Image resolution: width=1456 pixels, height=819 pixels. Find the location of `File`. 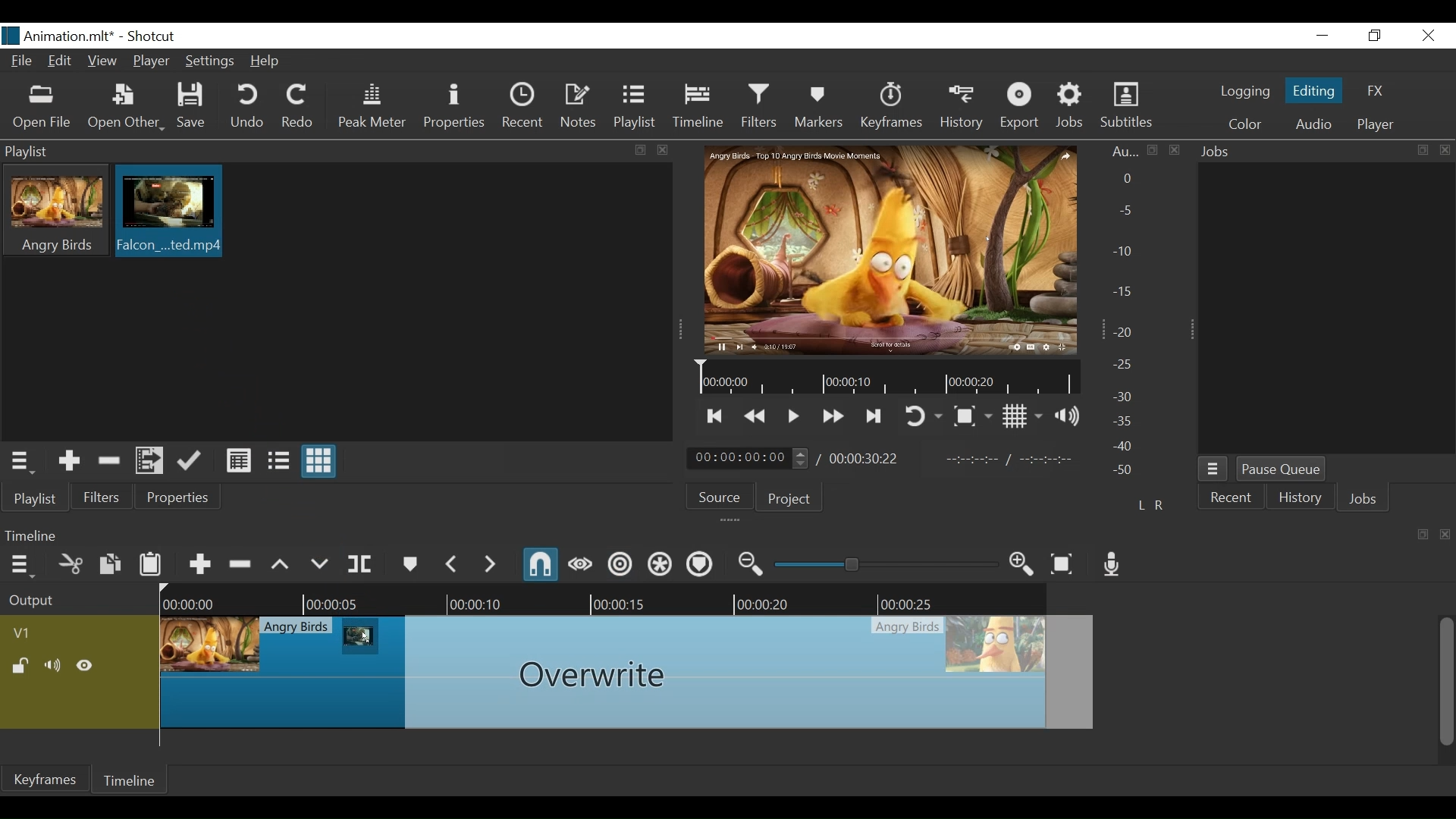

File is located at coordinates (21, 60).